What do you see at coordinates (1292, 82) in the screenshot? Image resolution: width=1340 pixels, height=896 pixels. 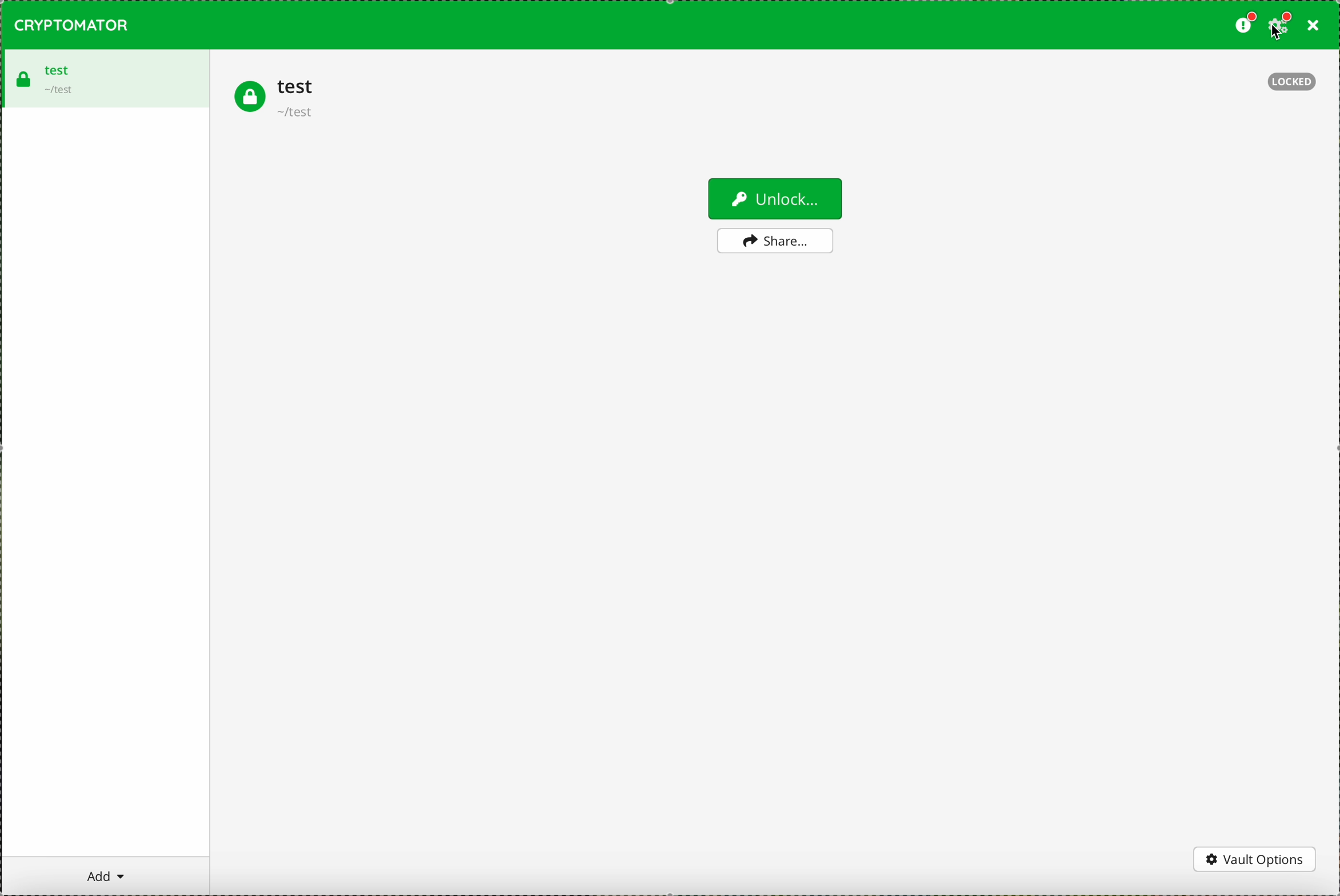 I see `locked` at bounding box center [1292, 82].